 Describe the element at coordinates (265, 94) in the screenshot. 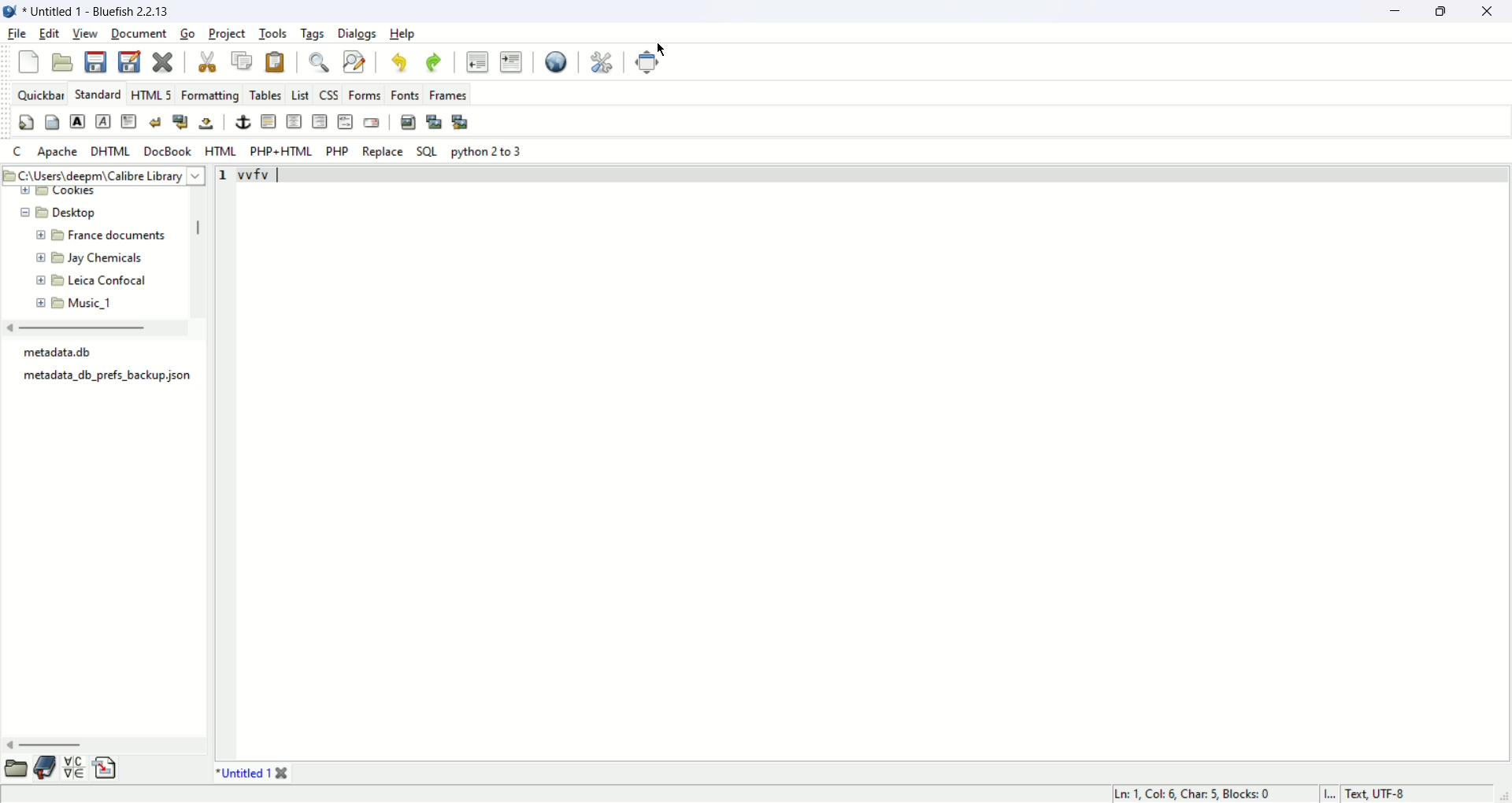

I see `tables` at that location.